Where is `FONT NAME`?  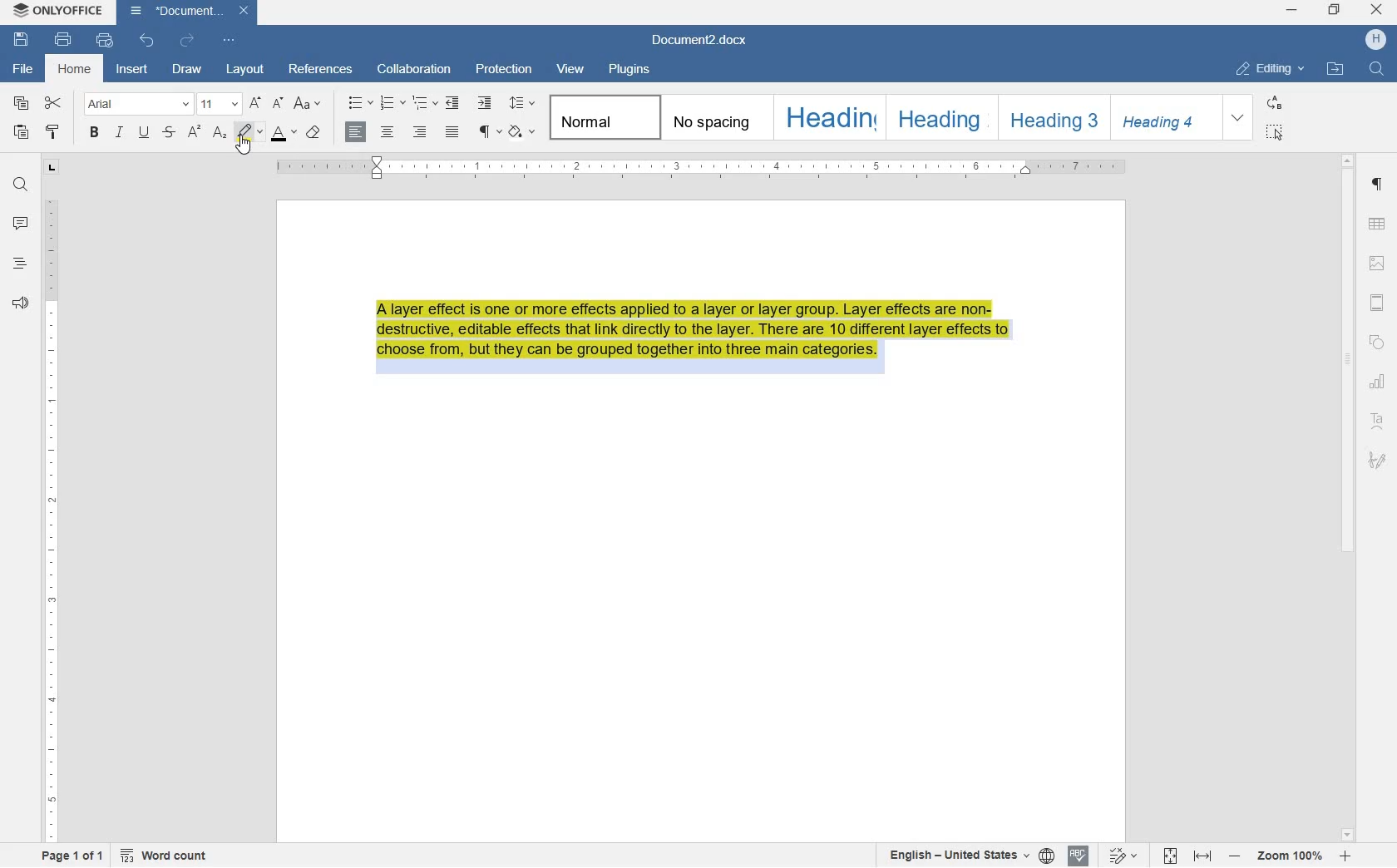
FONT NAME is located at coordinates (134, 105).